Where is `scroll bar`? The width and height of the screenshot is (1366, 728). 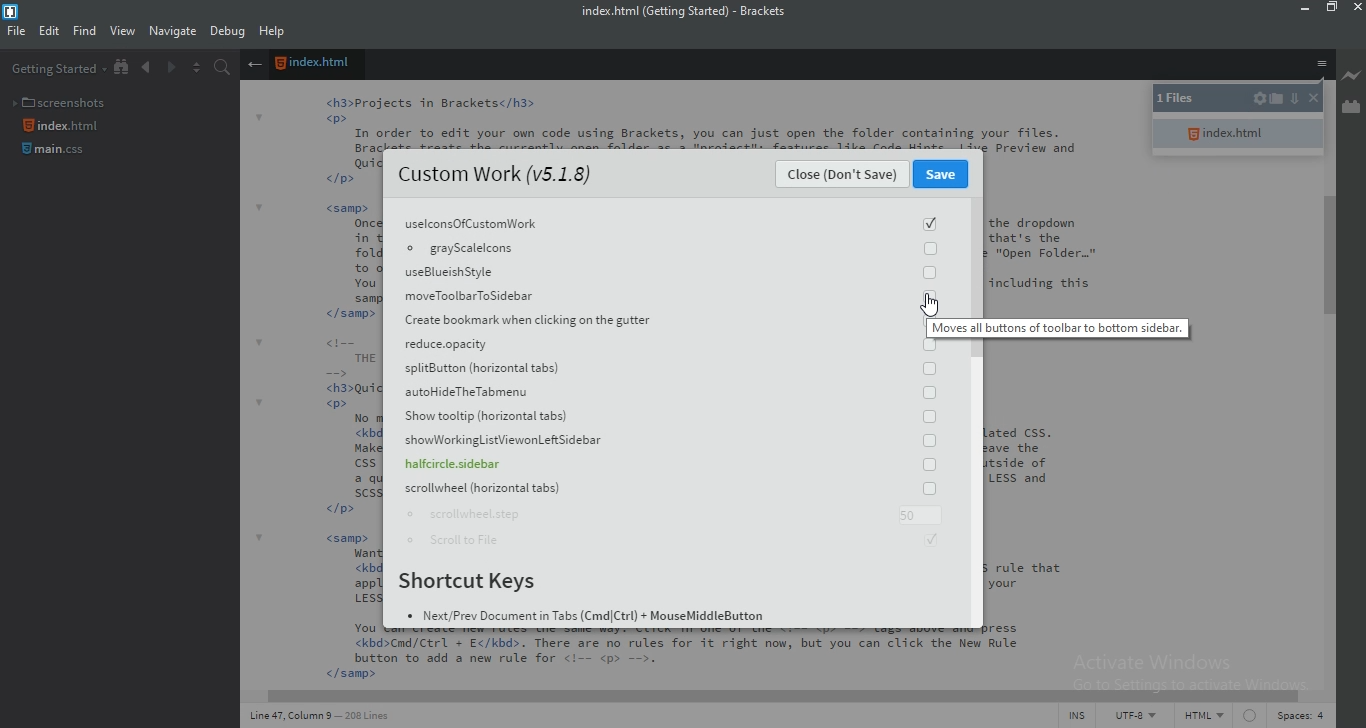
scroll bar is located at coordinates (767, 693).